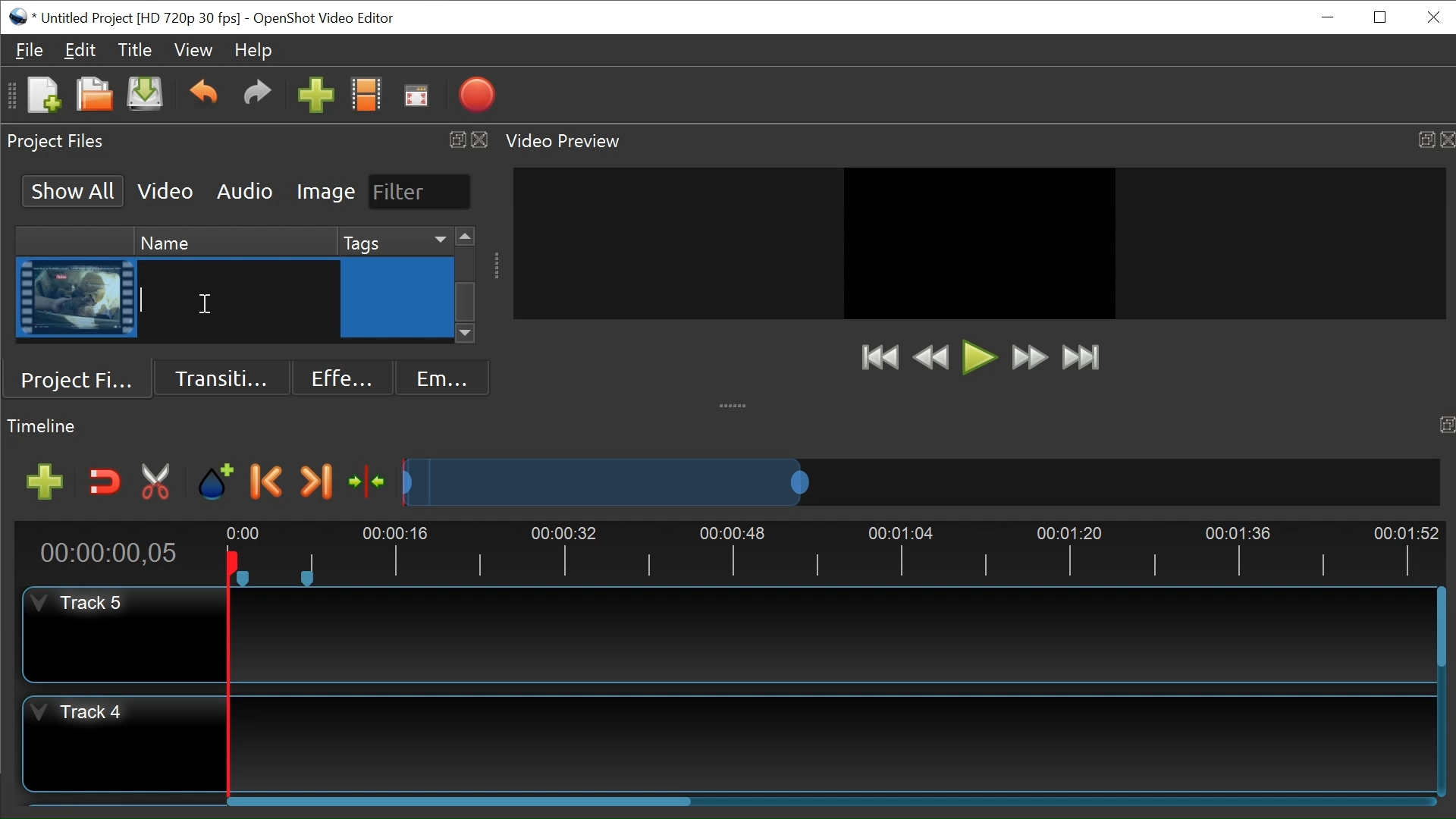  What do you see at coordinates (138, 52) in the screenshot?
I see `Title` at bounding box center [138, 52].